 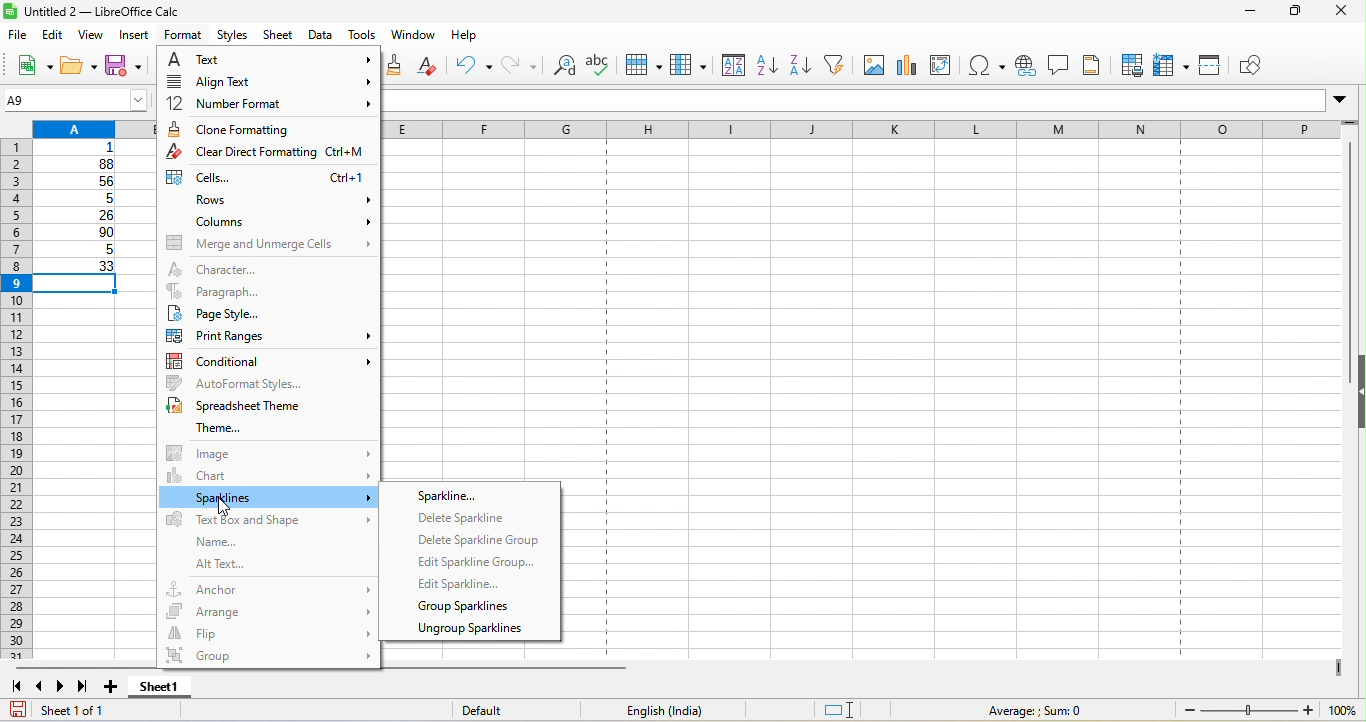 What do you see at coordinates (1255, 67) in the screenshot?
I see `show draw function` at bounding box center [1255, 67].